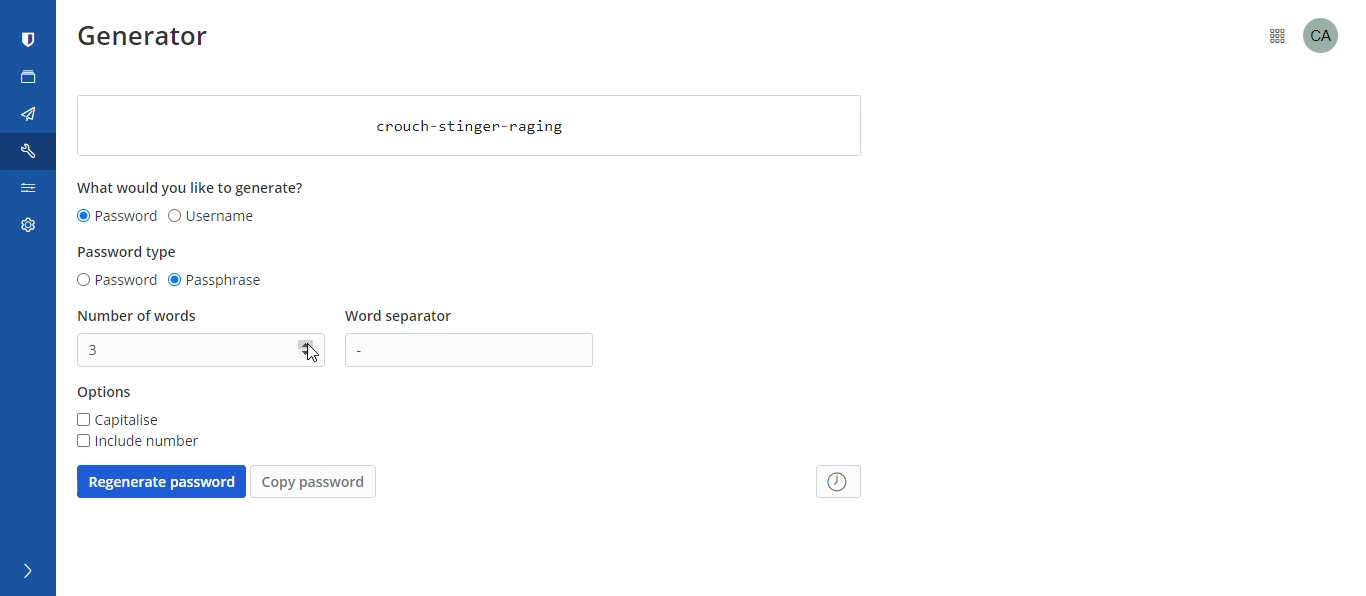  What do you see at coordinates (212, 217) in the screenshot?
I see `username radio button` at bounding box center [212, 217].